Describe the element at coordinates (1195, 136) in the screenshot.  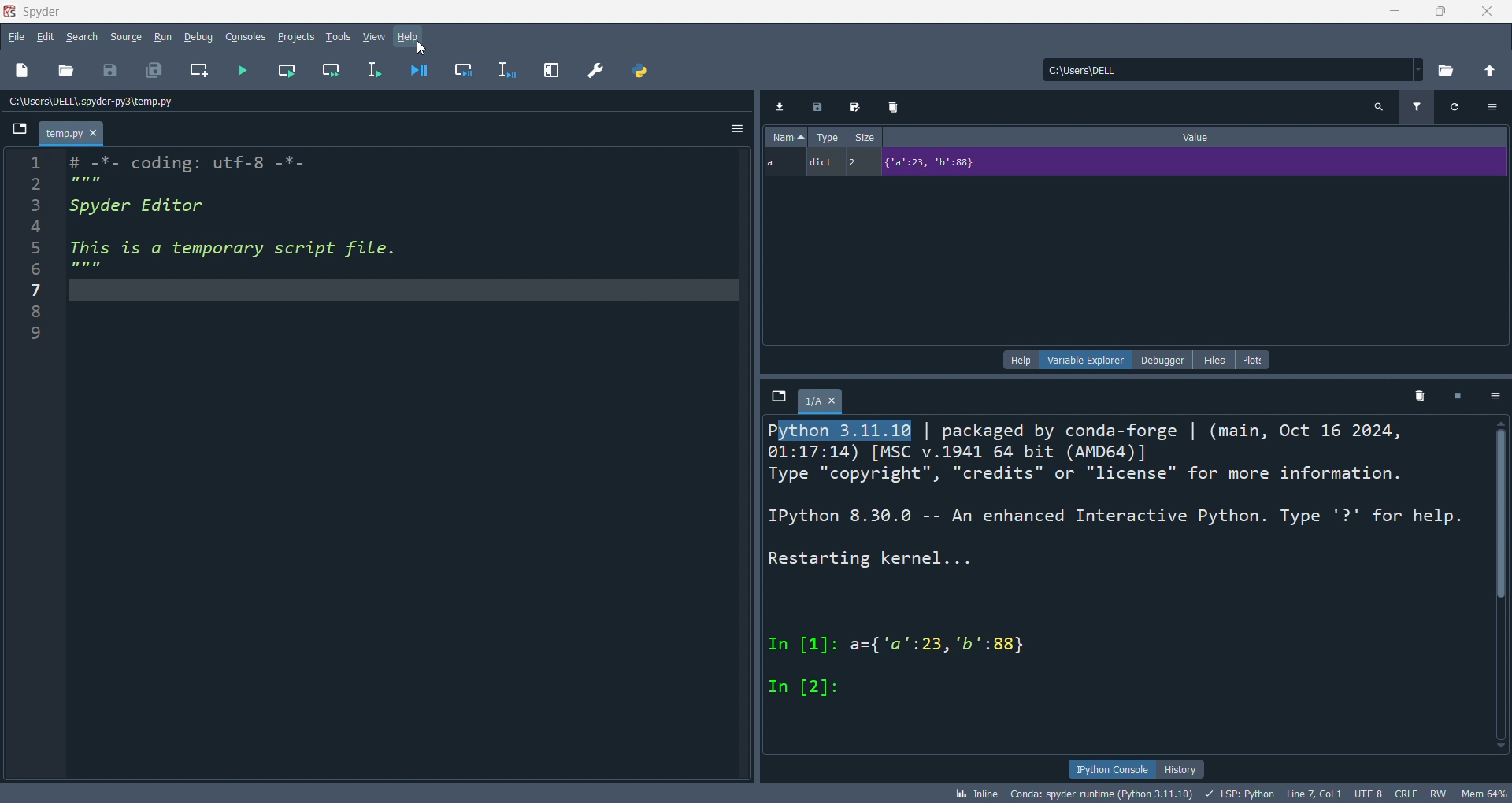
I see `Value` at that location.